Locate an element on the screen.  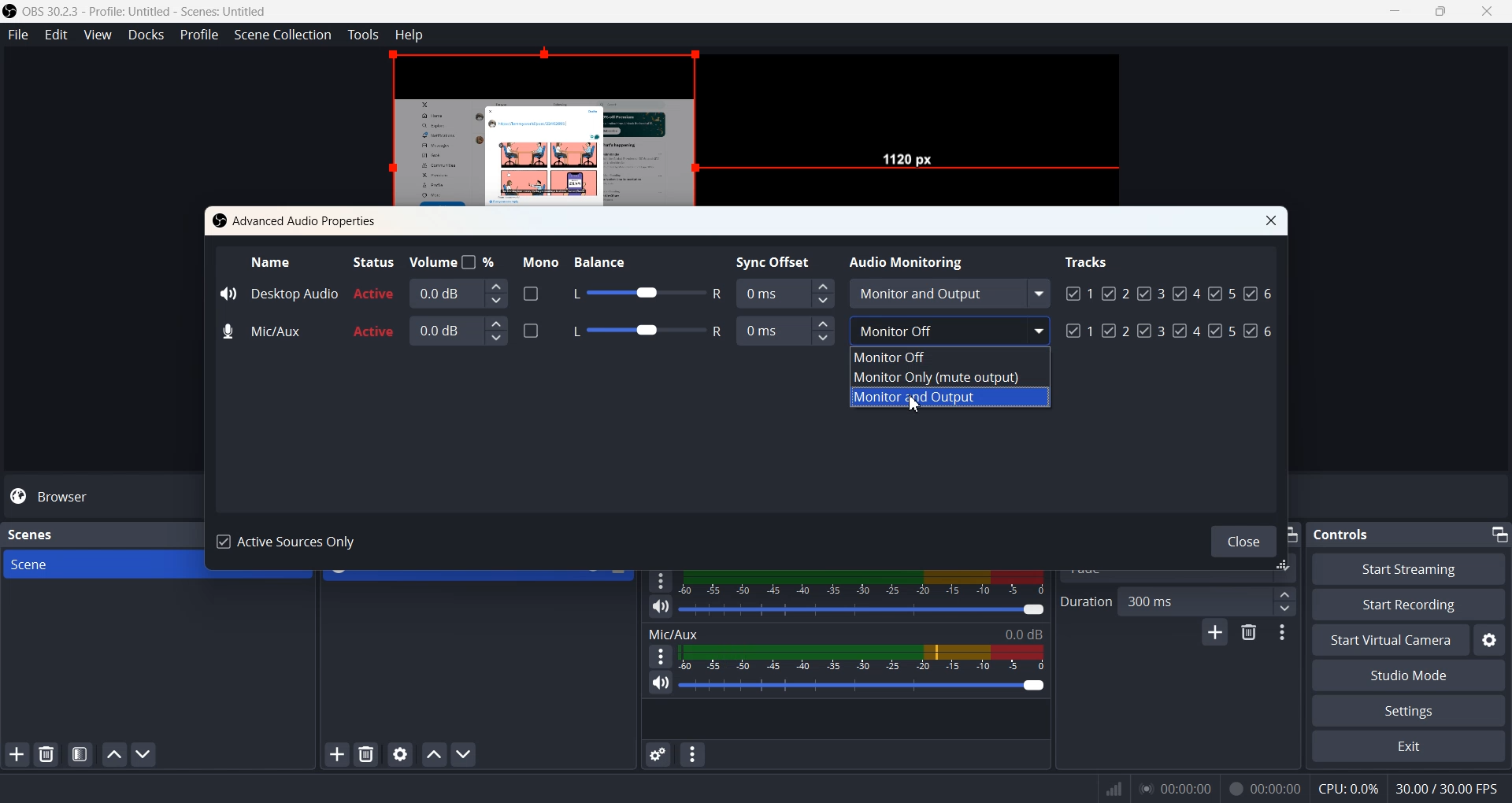
Duration is located at coordinates (1085, 601).